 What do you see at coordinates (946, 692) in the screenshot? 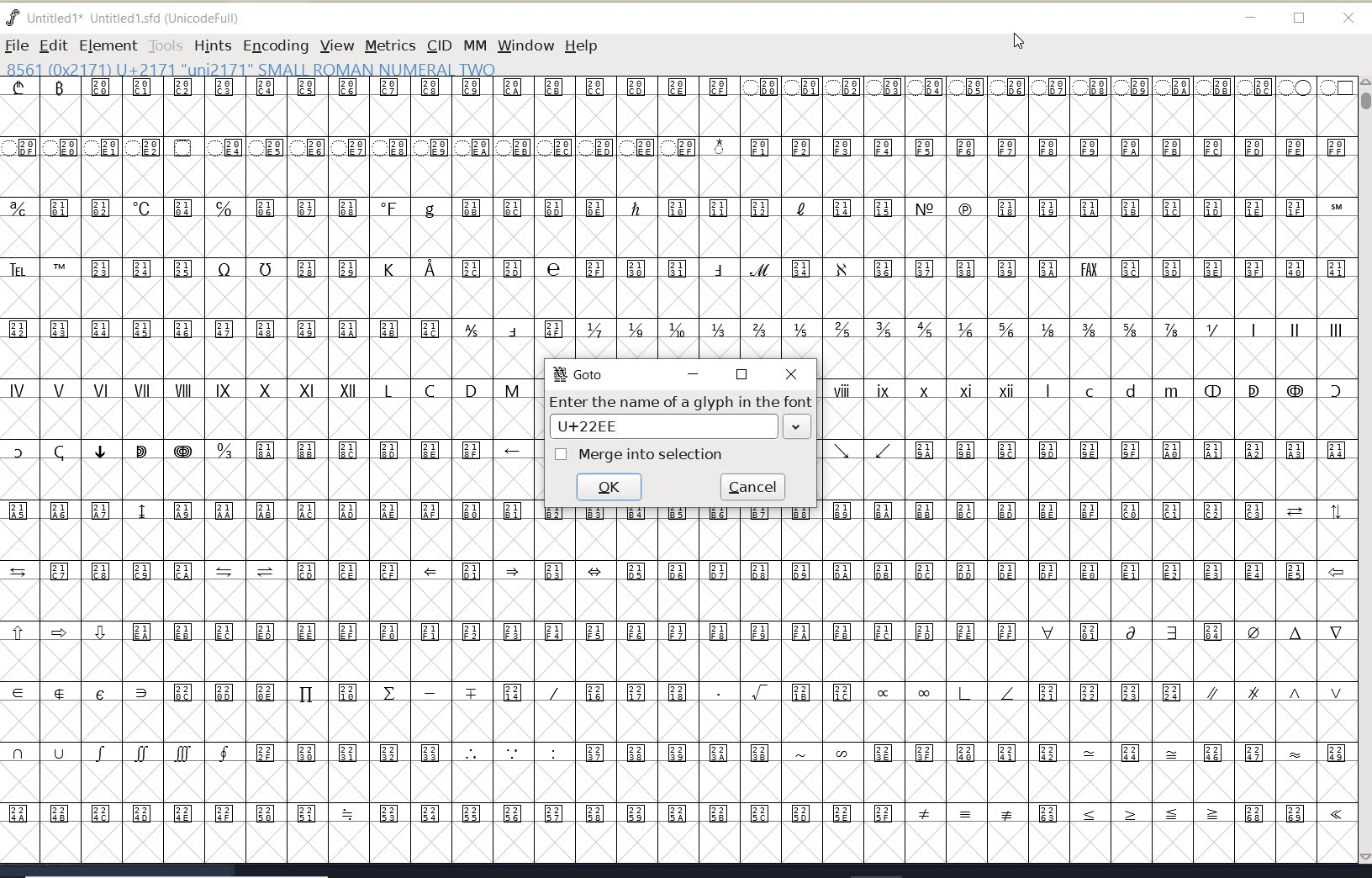
I see `GLYPHY CHARACTERS & NUMBERS` at bounding box center [946, 692].